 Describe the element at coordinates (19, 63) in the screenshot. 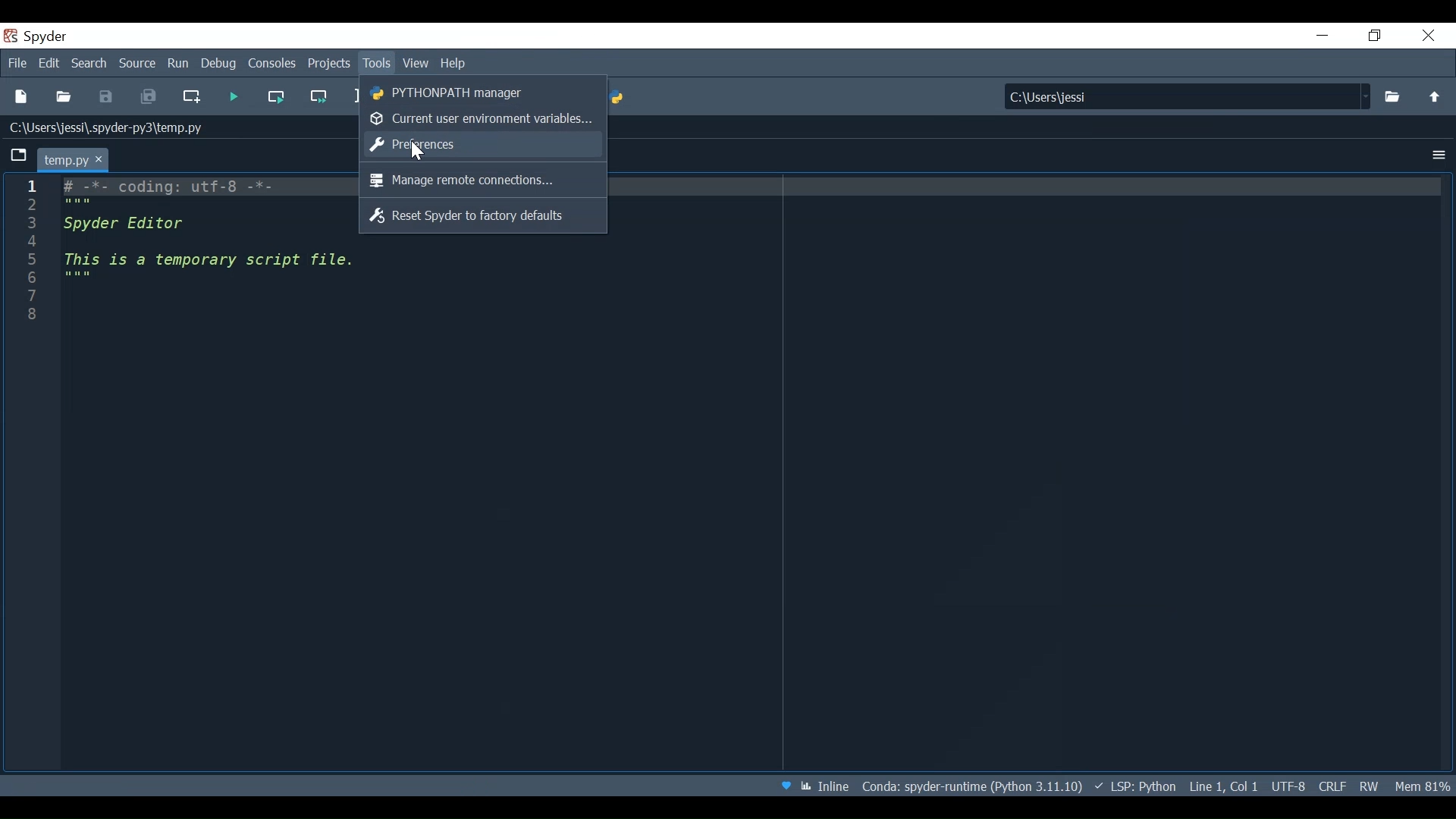

I see `File` at that location.